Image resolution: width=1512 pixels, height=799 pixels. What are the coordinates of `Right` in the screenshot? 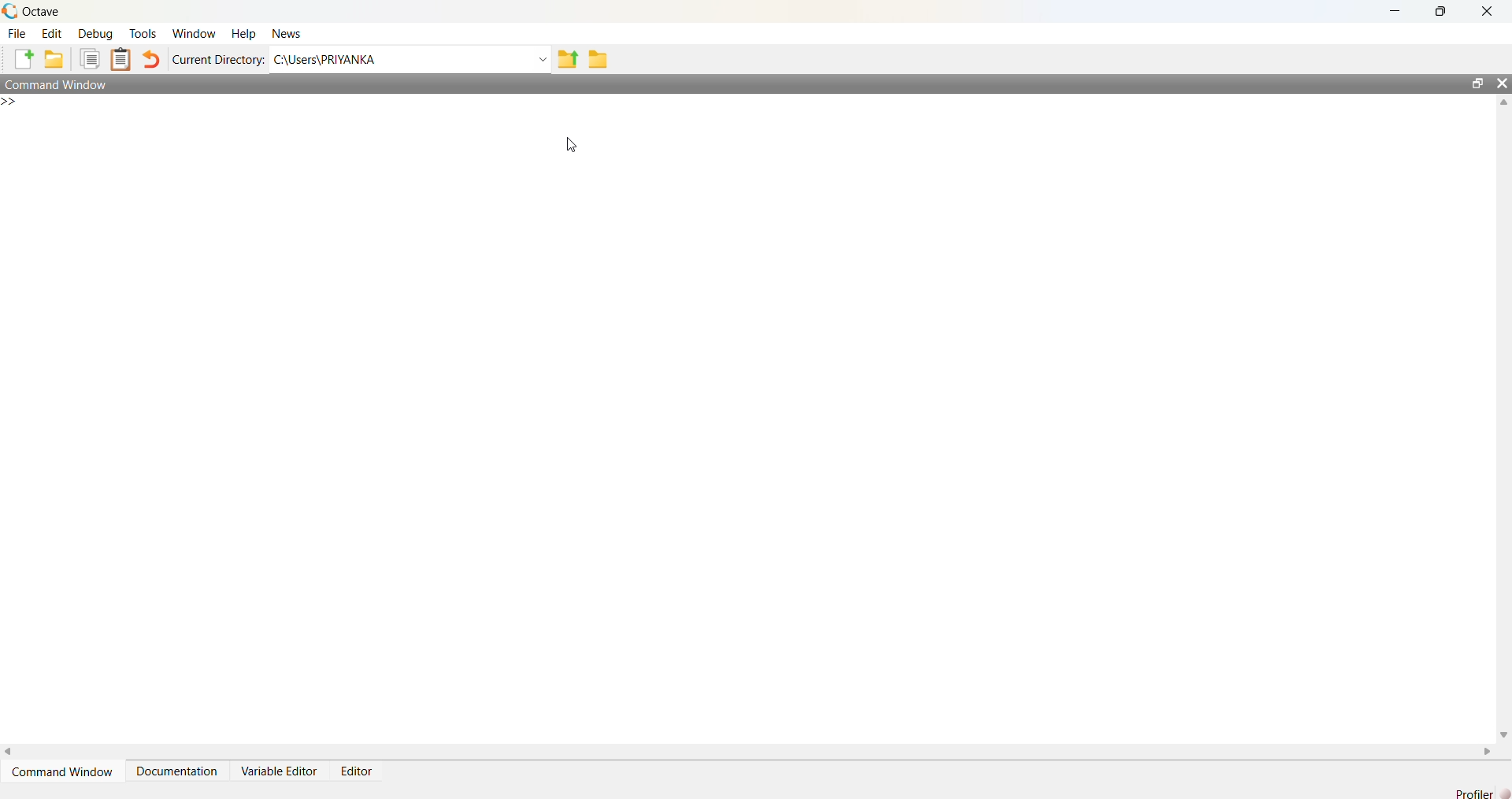 It's located at (1484, 751).